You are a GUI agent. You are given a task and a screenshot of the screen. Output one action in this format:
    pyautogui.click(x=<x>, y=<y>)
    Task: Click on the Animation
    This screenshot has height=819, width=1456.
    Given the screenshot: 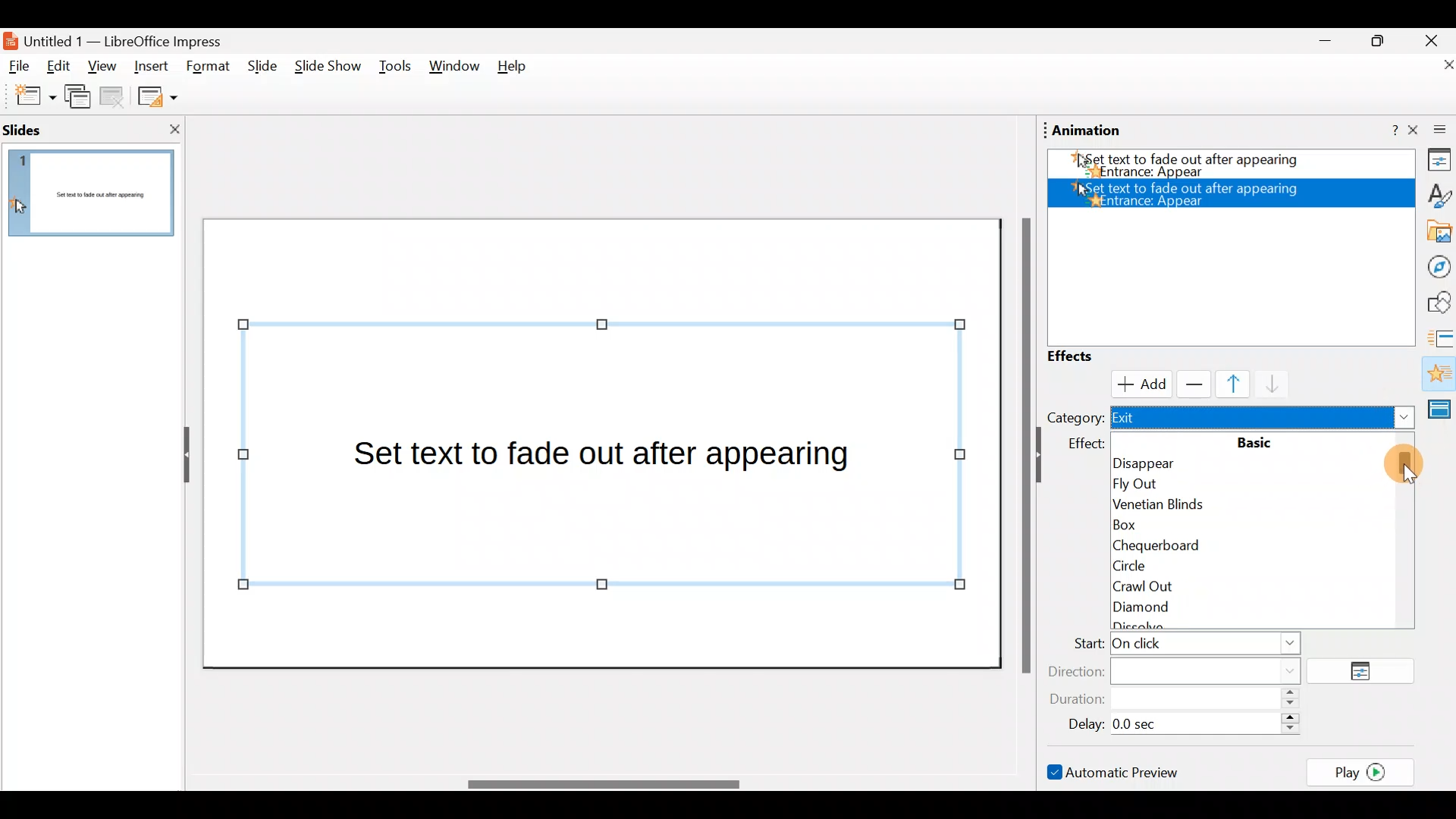 What is the action you would take?
    pyautogui.click(x=1087, y=130)
    